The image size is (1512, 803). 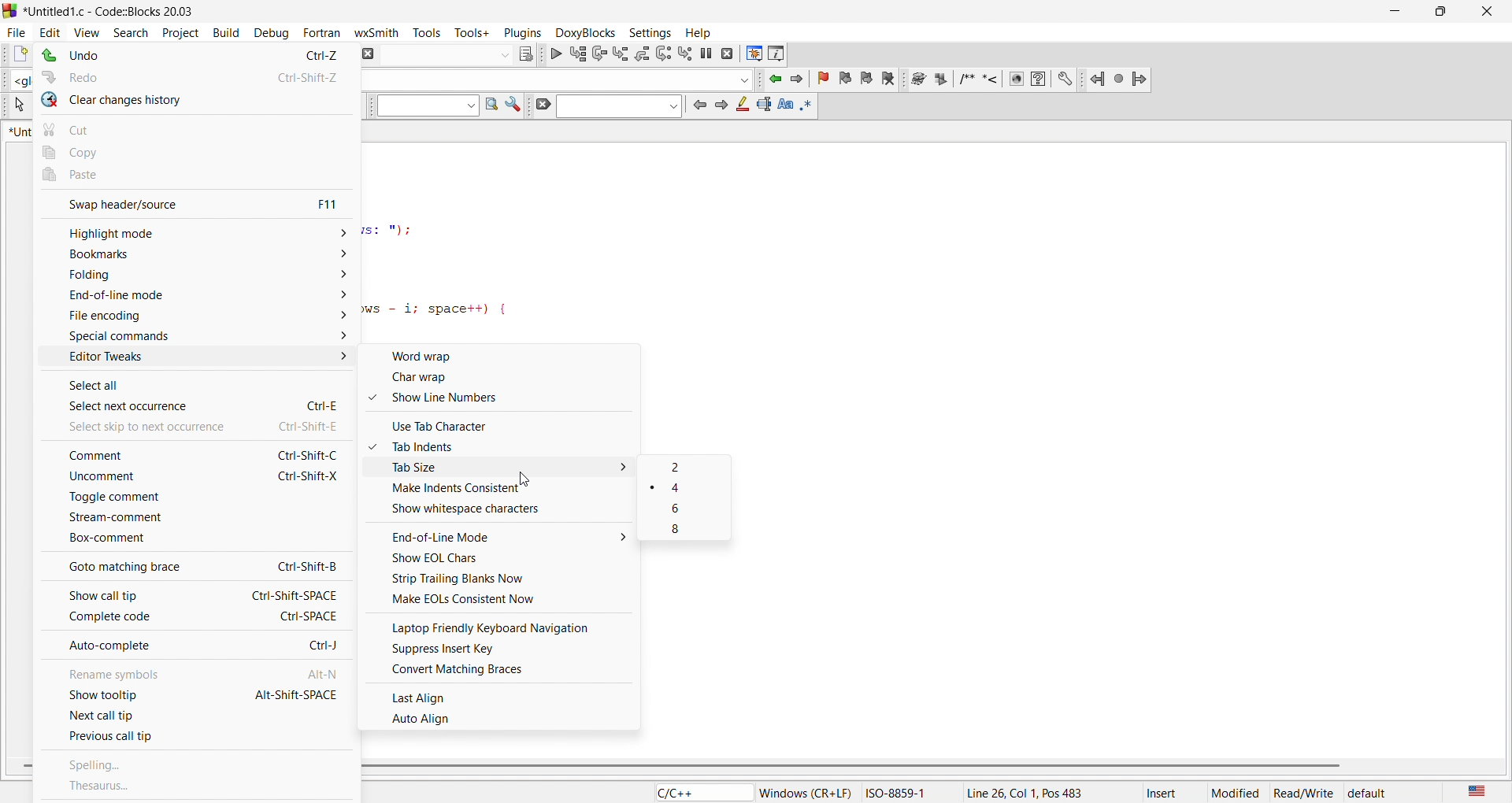 I want to click on 2 space, so click(x=689, y=466).